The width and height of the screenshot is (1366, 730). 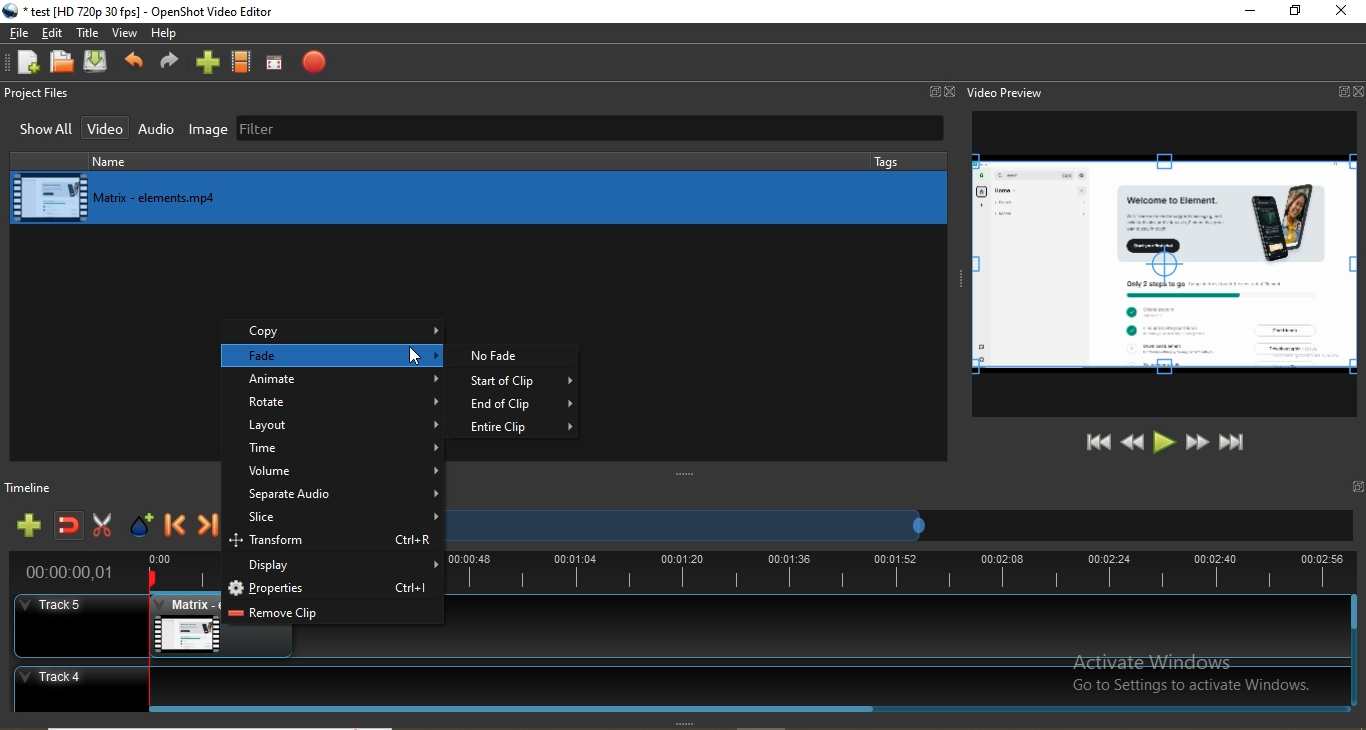 I want to click on time, so click(x=338, y=450).